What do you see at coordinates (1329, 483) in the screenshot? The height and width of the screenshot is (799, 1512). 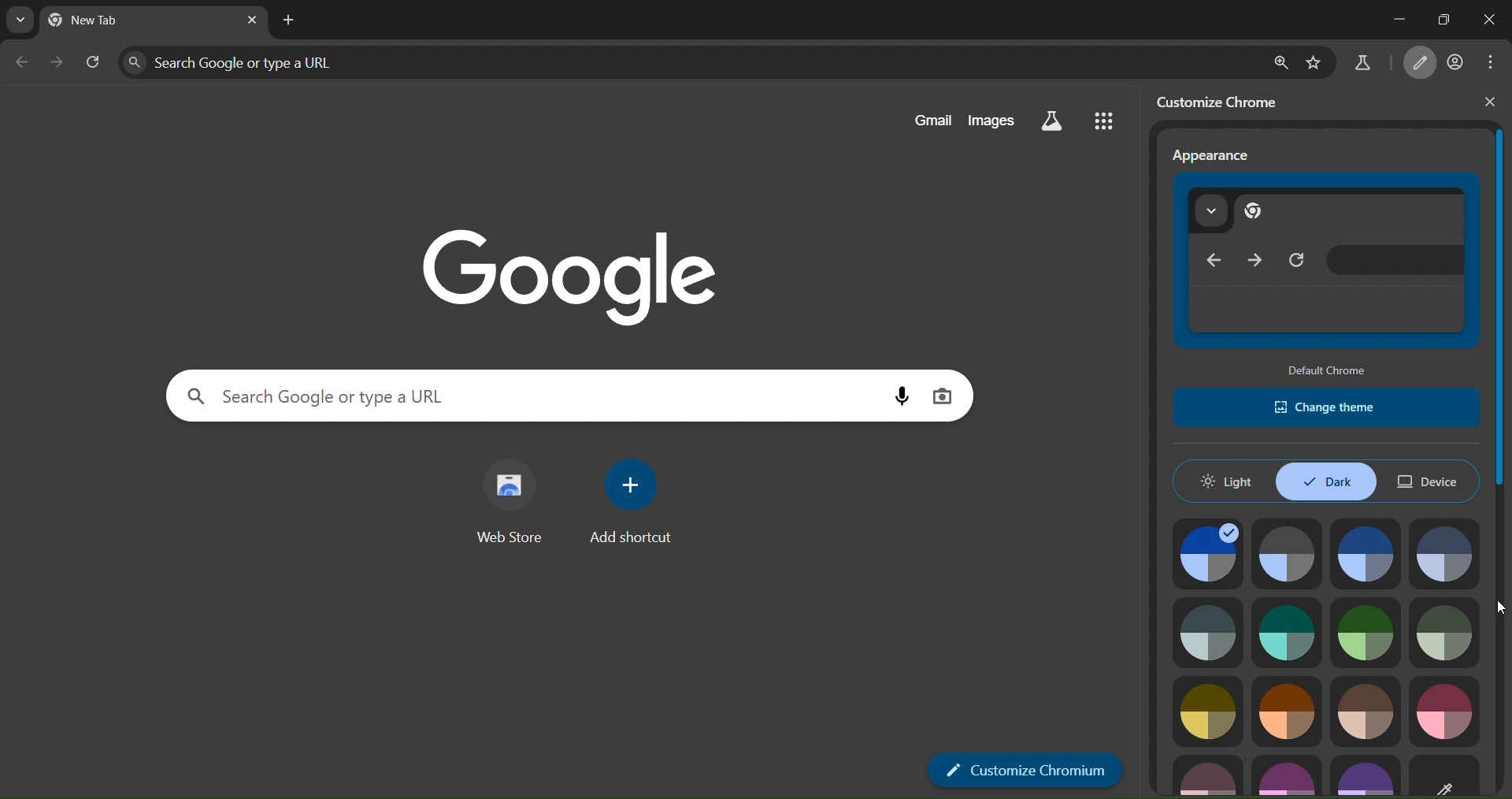 I see `dark` at bounding box center [1329, 483].